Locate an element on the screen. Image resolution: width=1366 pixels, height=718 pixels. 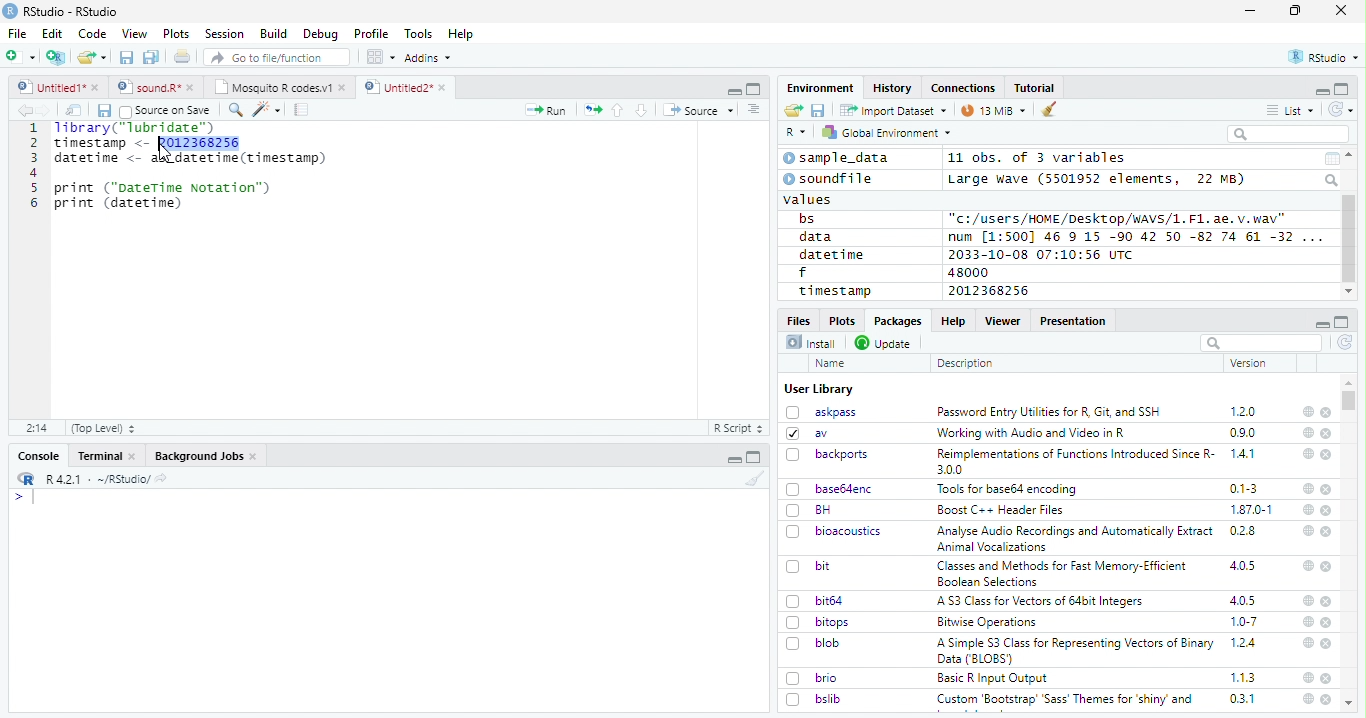
Update is located at coordinates (885, 343).